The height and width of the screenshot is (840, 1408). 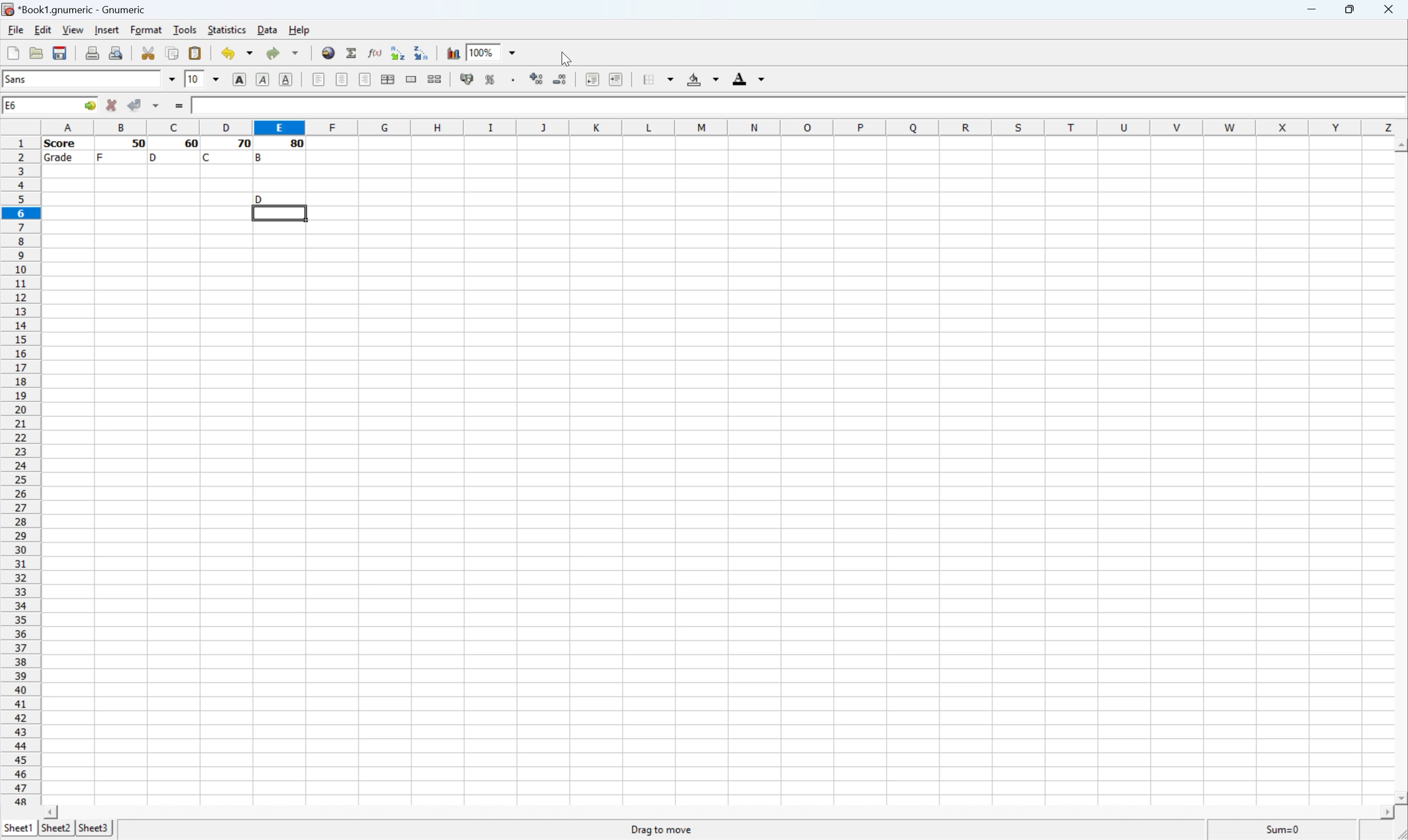 What do you see at coordinates (211, 78) in the screenshot?
I see `Drop Down` at bounding box center [211, 78].